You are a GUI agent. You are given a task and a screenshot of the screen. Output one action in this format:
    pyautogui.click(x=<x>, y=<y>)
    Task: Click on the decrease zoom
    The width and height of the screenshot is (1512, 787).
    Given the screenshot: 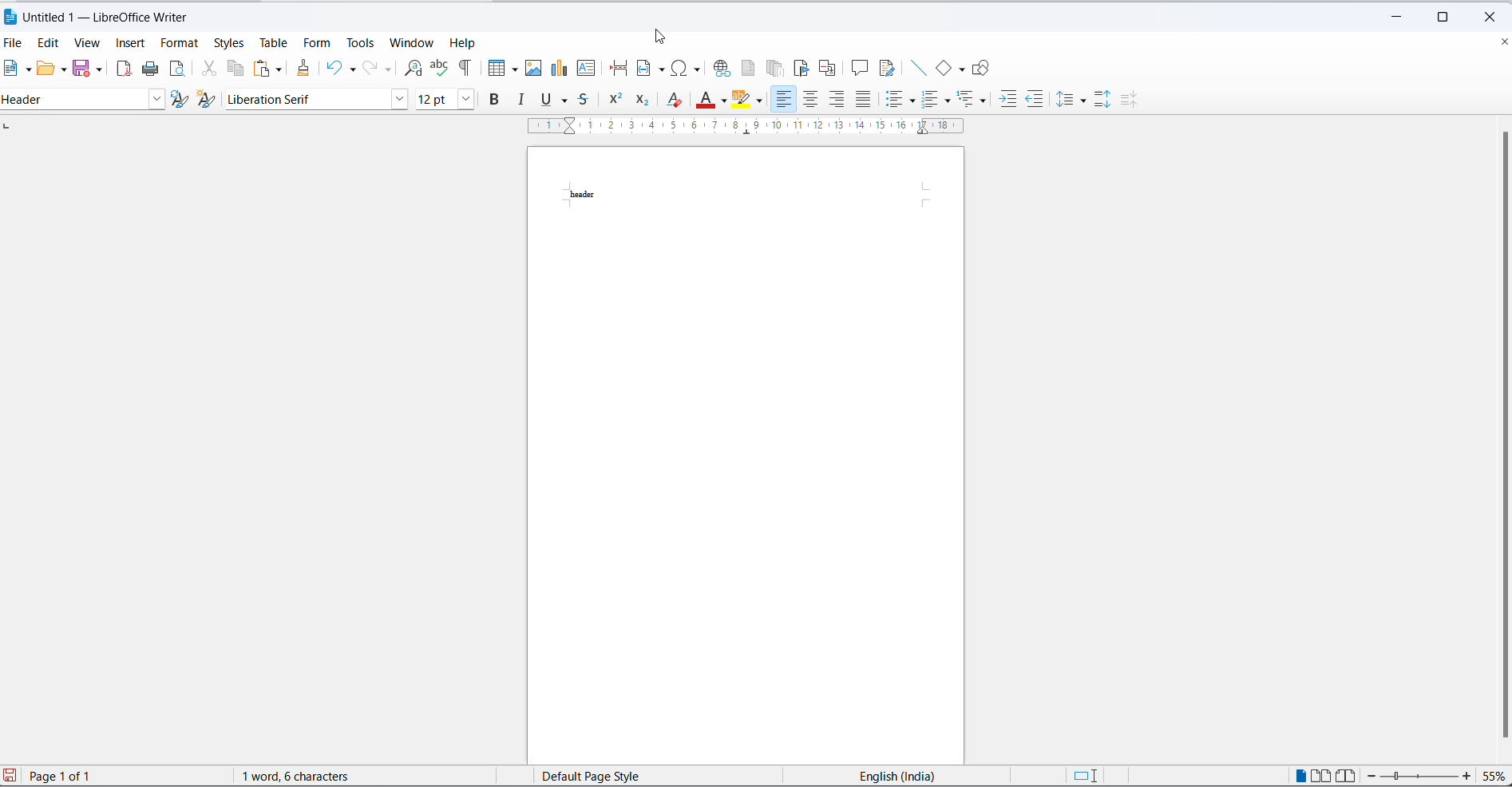 What is the action you would take?
    pyautogui.click(x=1375, y=776)
    